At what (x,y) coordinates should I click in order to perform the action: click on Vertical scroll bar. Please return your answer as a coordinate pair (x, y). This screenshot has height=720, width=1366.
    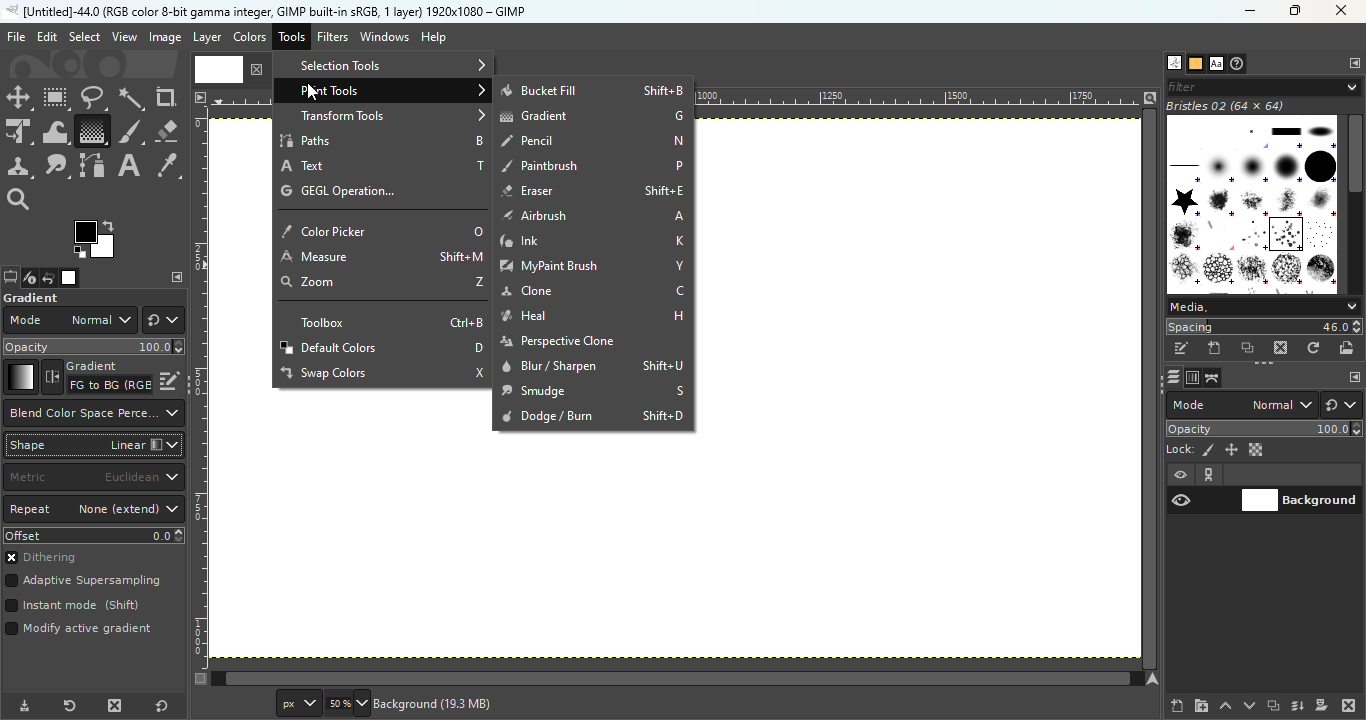
    Looking at the image, I should click on (667, 679).